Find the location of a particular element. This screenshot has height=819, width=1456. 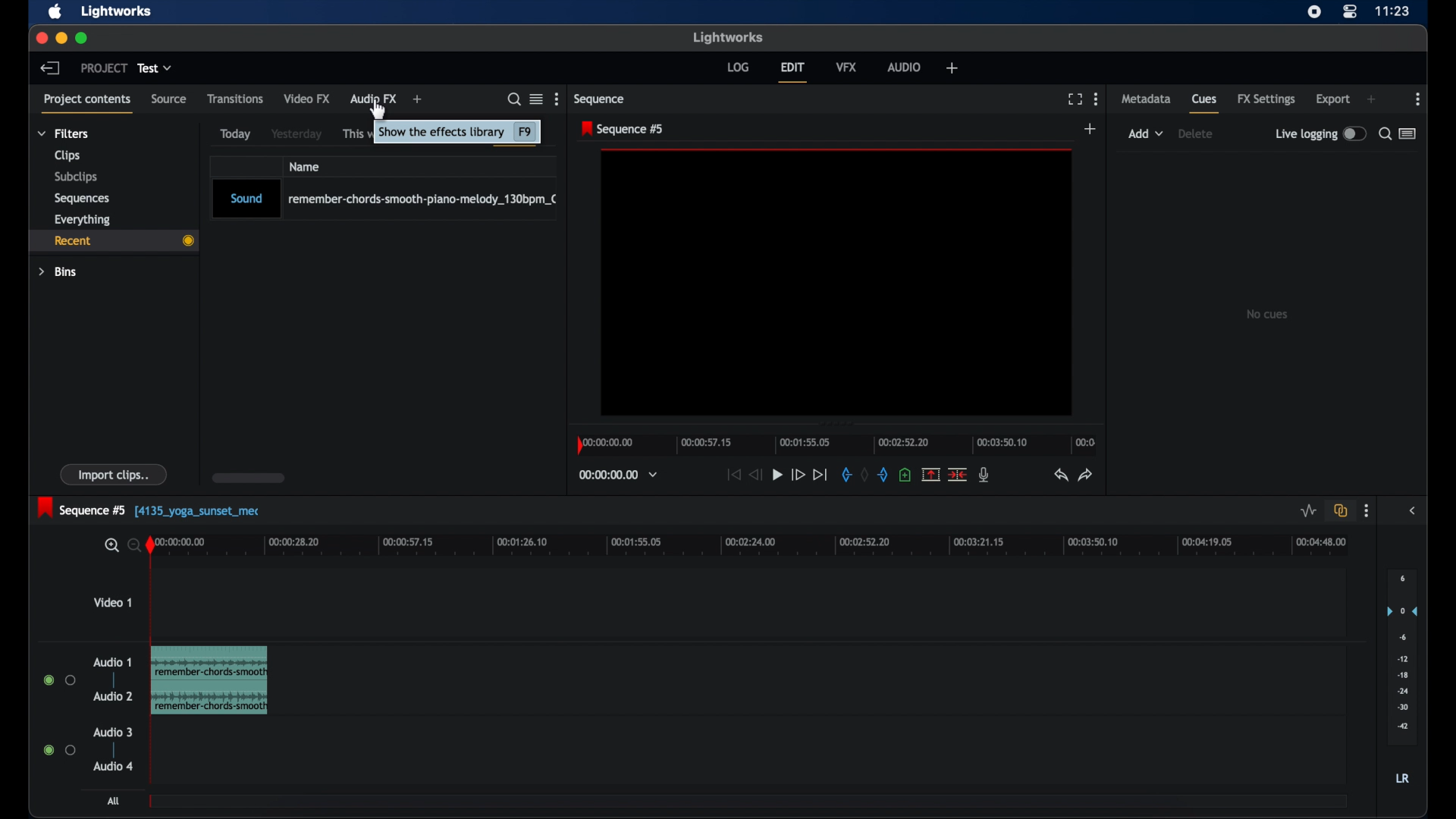

search is located at coordinates (514, 99).